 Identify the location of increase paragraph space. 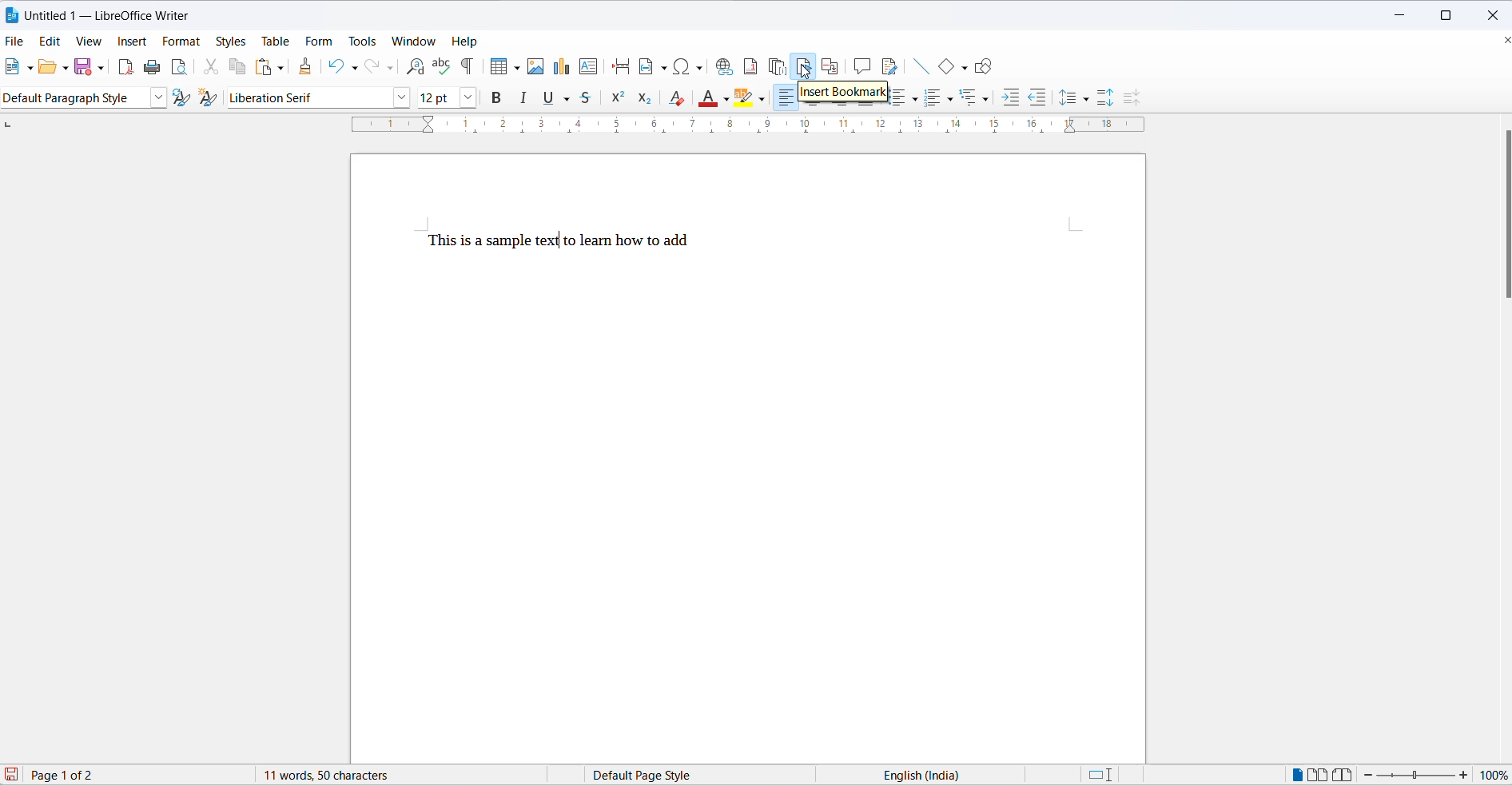
(1112, 100).